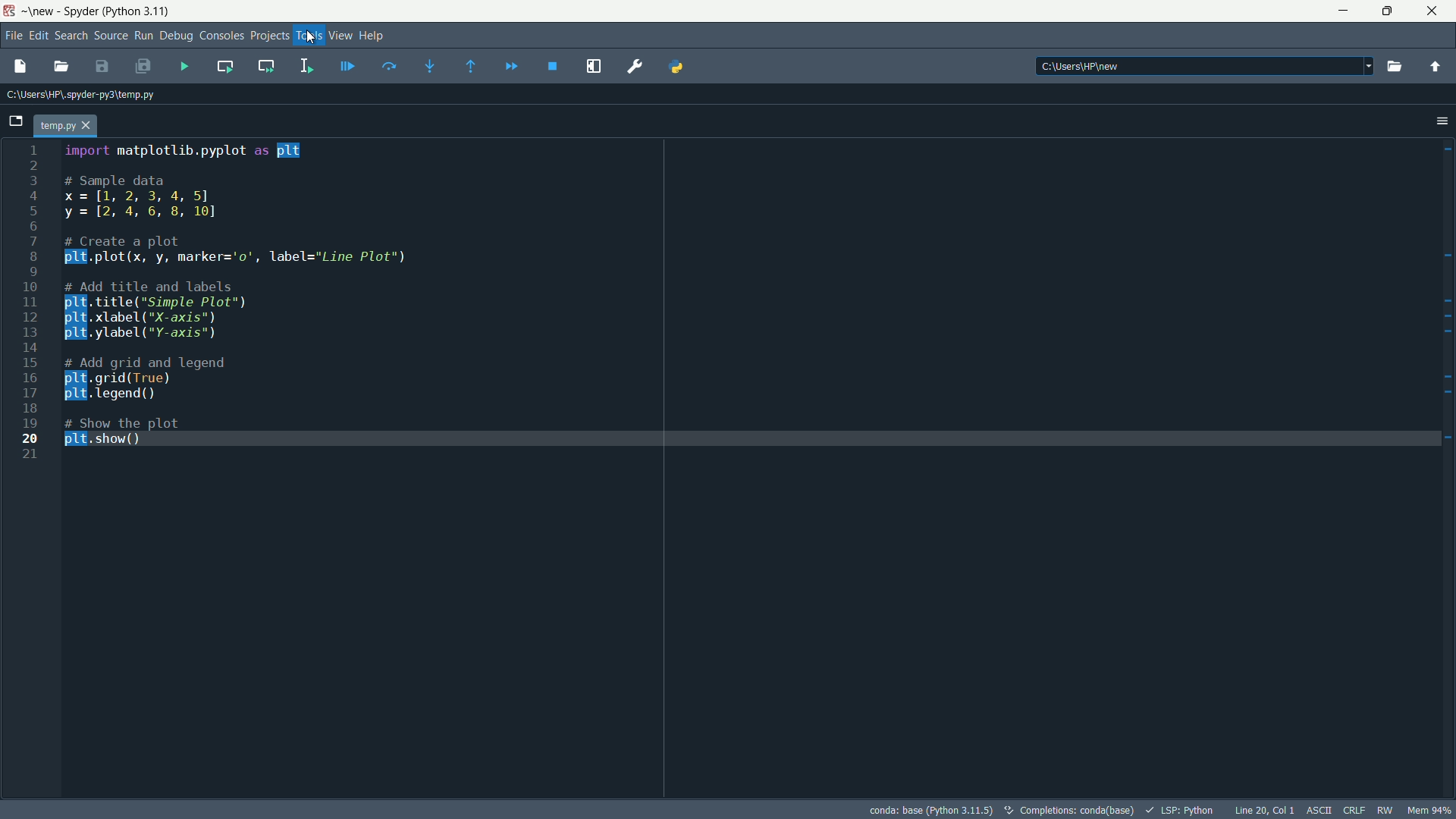 The image size is (1456, 819). I want to click on view, so click(340, 36).